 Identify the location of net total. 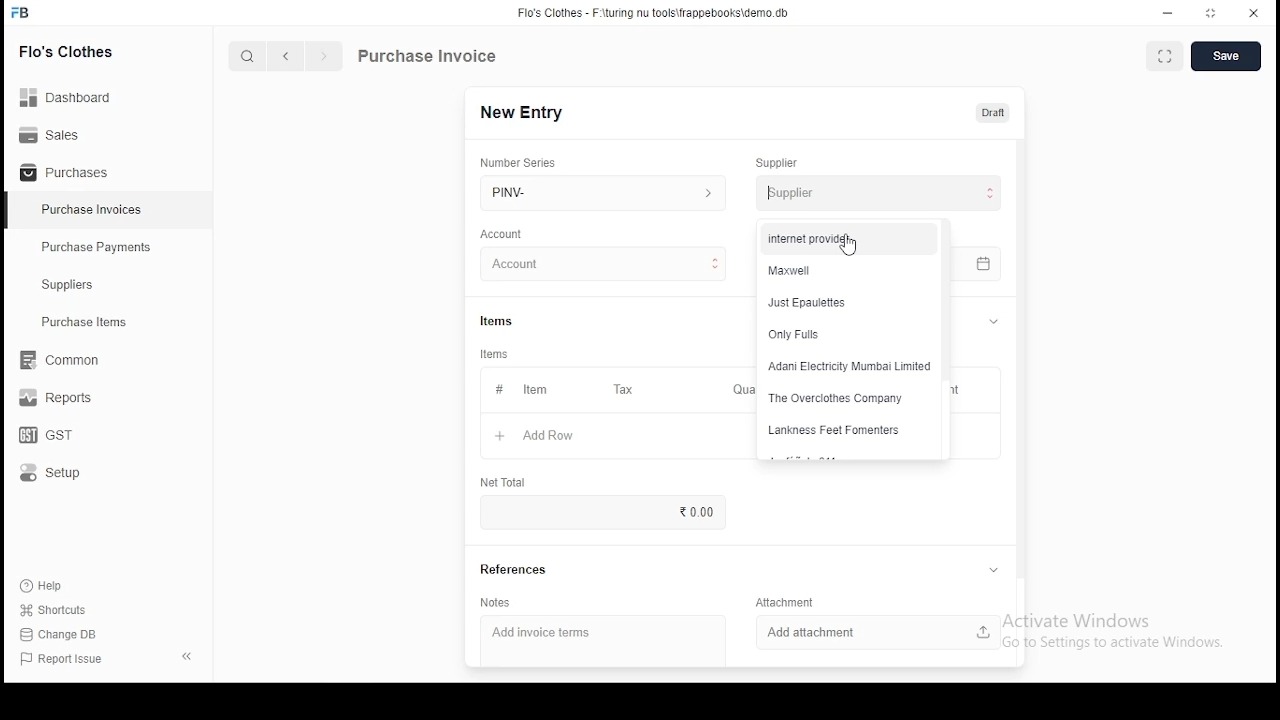
(502, 481).